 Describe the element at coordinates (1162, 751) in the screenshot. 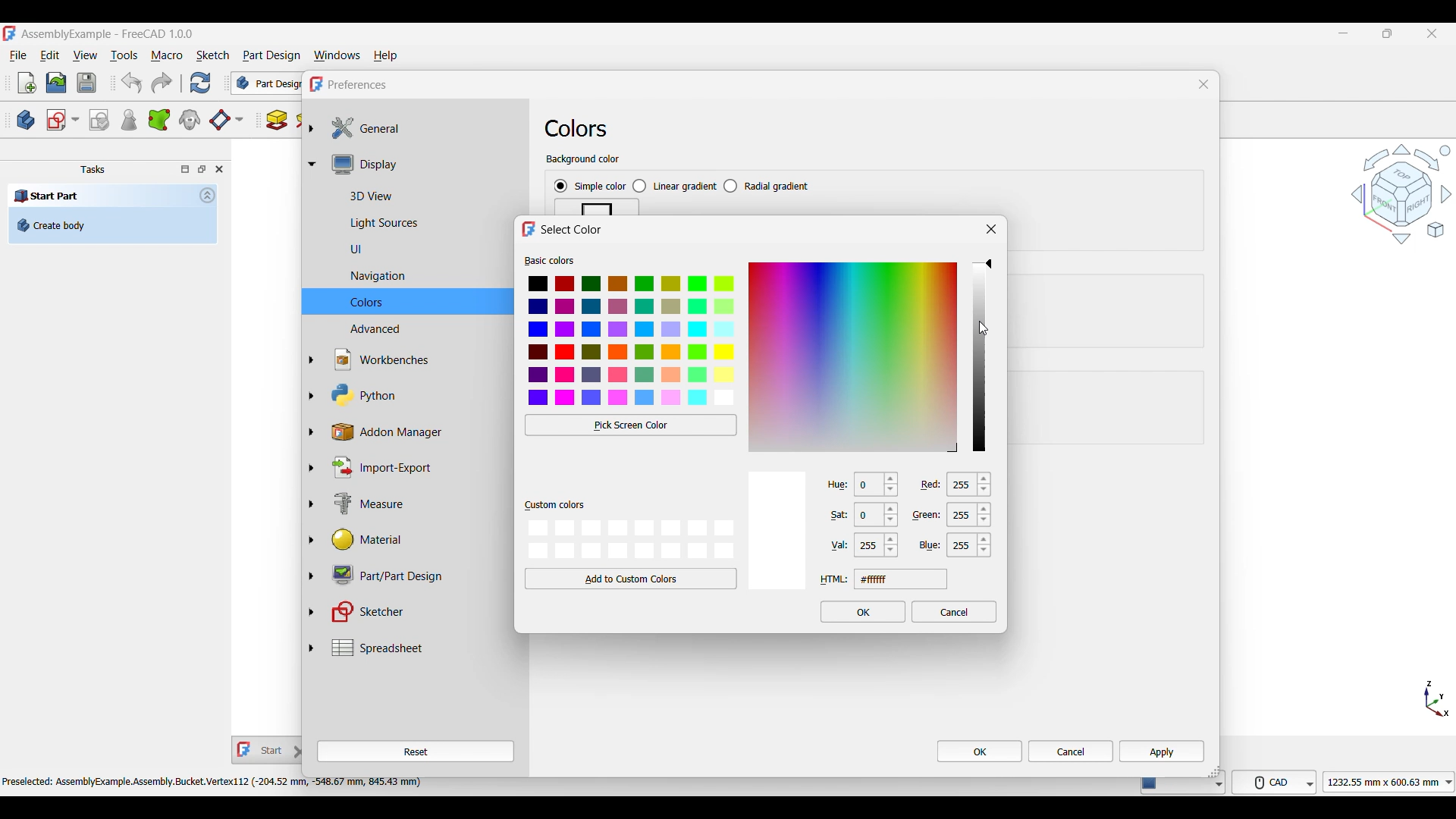

I see `Apply` at that location.